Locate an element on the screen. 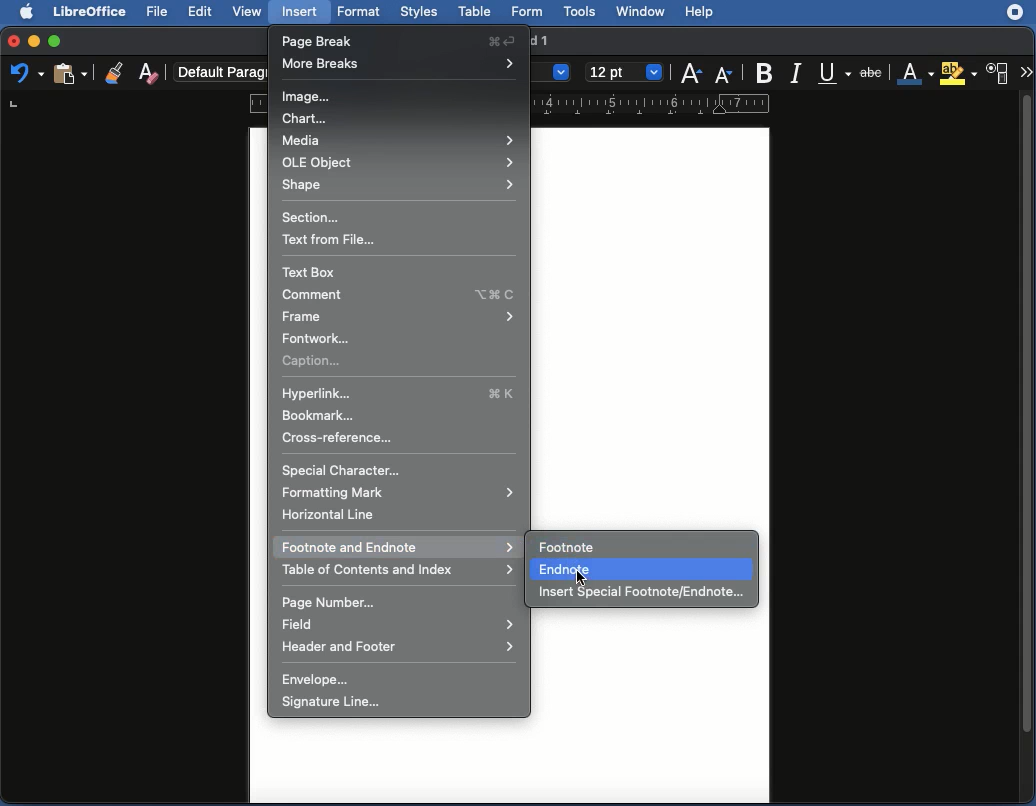 The image size is (1036, 806). Footnote is located at coordinates (571, 547).